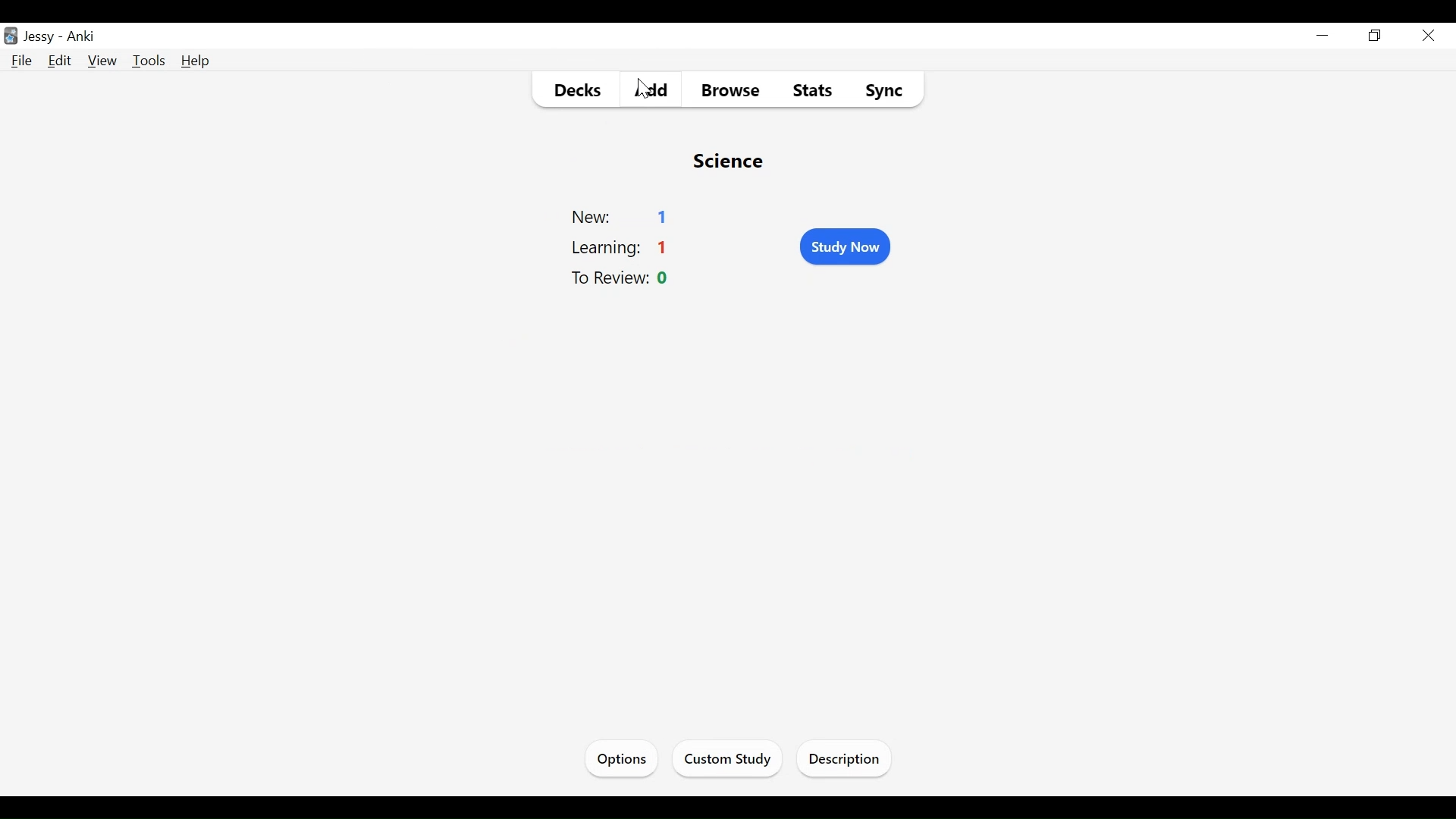 The image size is (1456, 819). What do you see at coordinates (60, 60) in the screenshot?
I see `Edit` at bounding box center [60, 60].